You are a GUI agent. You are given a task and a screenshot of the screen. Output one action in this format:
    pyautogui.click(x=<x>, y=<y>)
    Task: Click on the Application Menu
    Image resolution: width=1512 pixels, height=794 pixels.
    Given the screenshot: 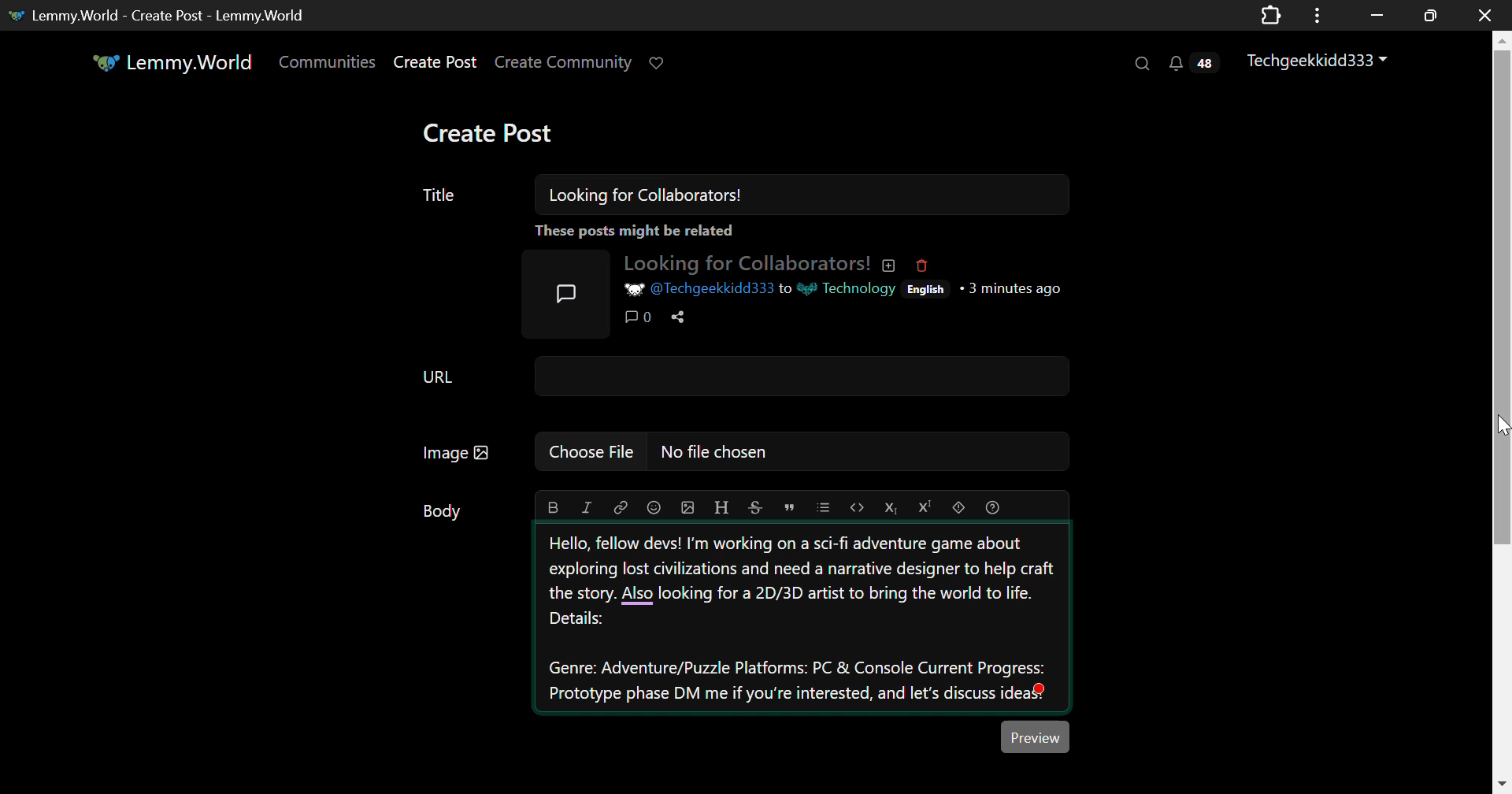 What is the action you would take?
    pyautogui.click(x=1319, y=15)
    